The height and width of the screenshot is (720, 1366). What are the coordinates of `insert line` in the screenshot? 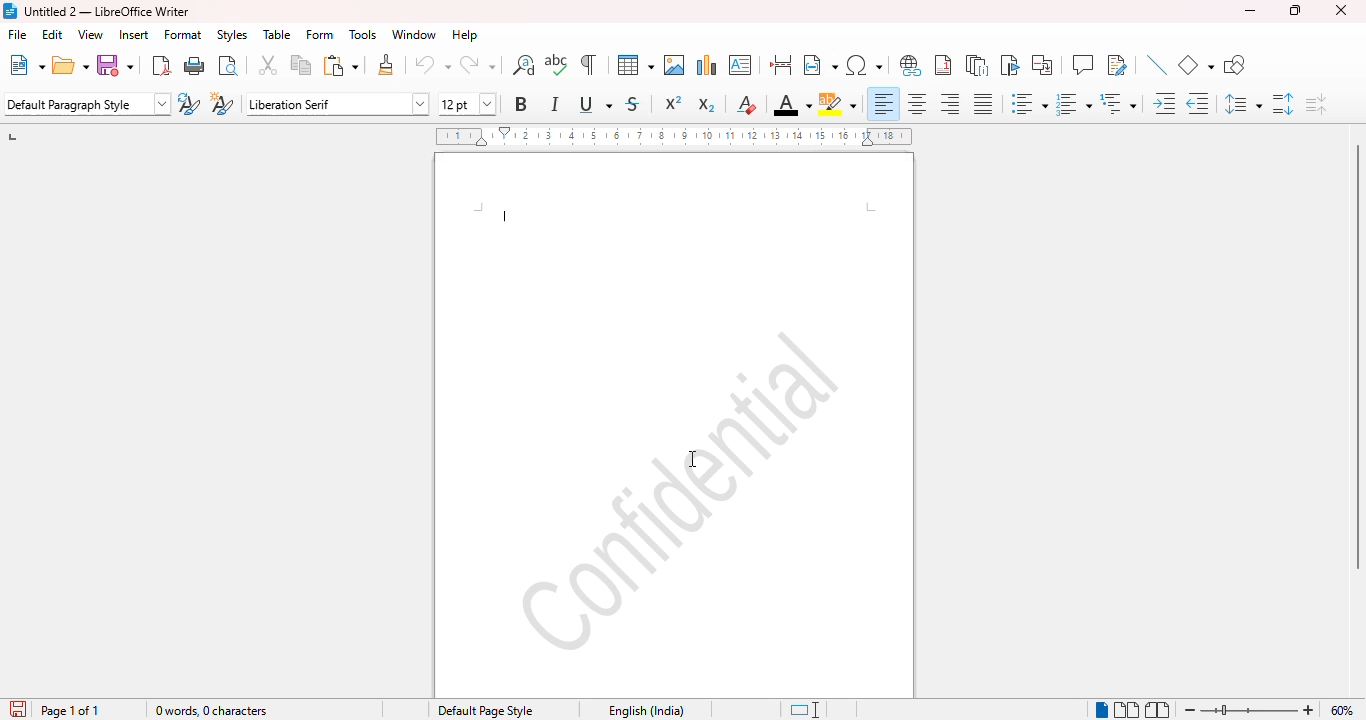 It's located at (1157, 64).